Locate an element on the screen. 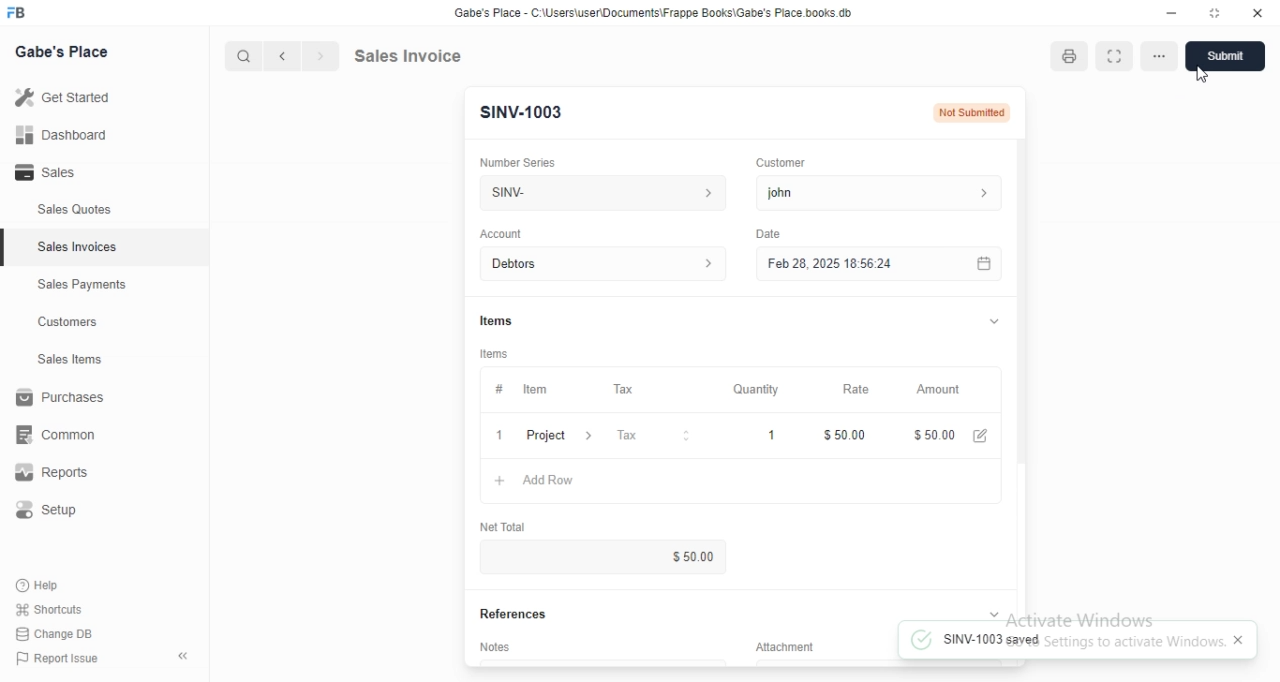 This screenshot has width=1280, height=682. collapse is located at coordinates (991, 321).